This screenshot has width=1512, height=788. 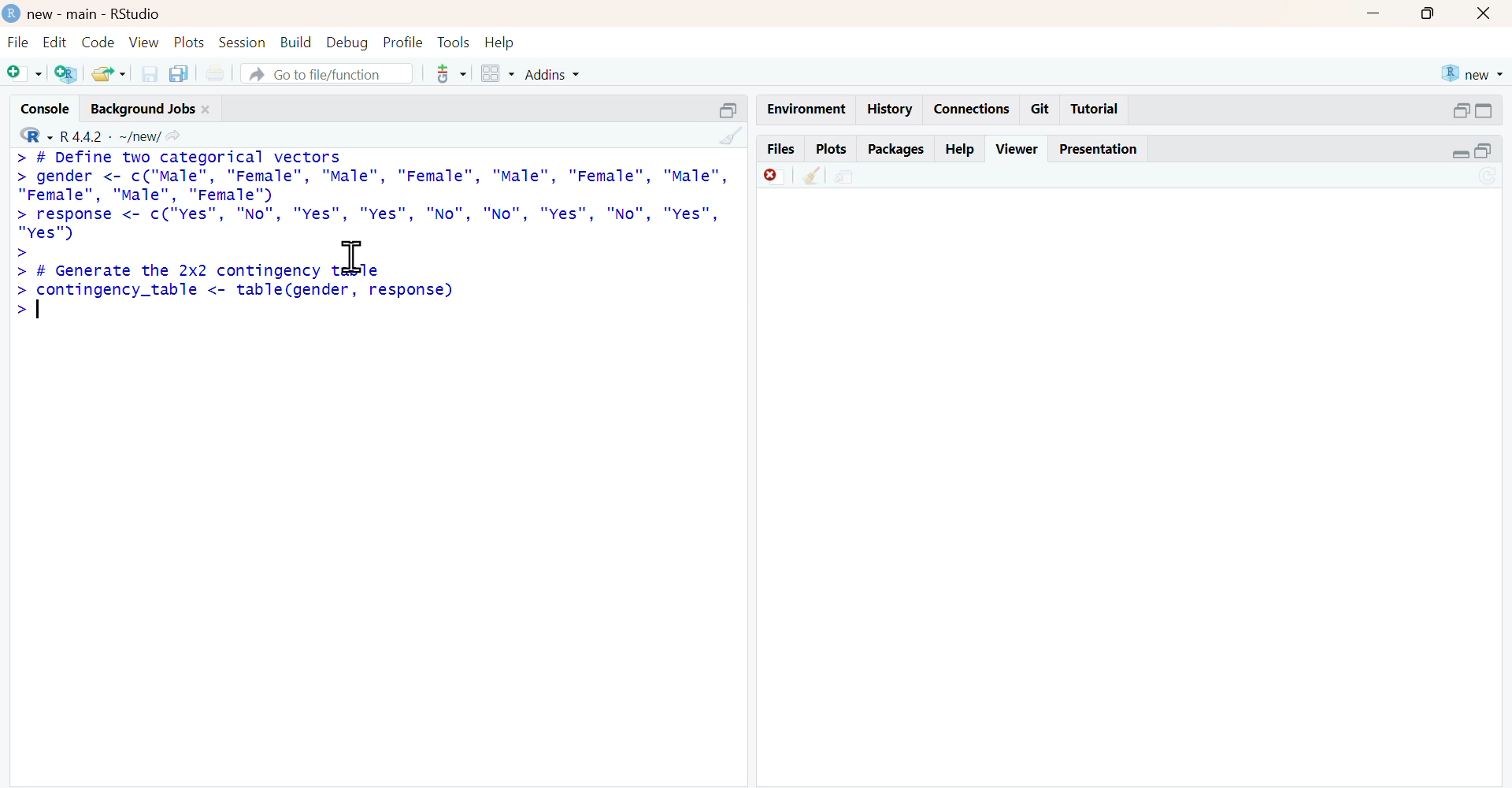 What do you see at coordinates (180, 73) in the screenshot?
I see `copy` at bounding box center [180, 73].